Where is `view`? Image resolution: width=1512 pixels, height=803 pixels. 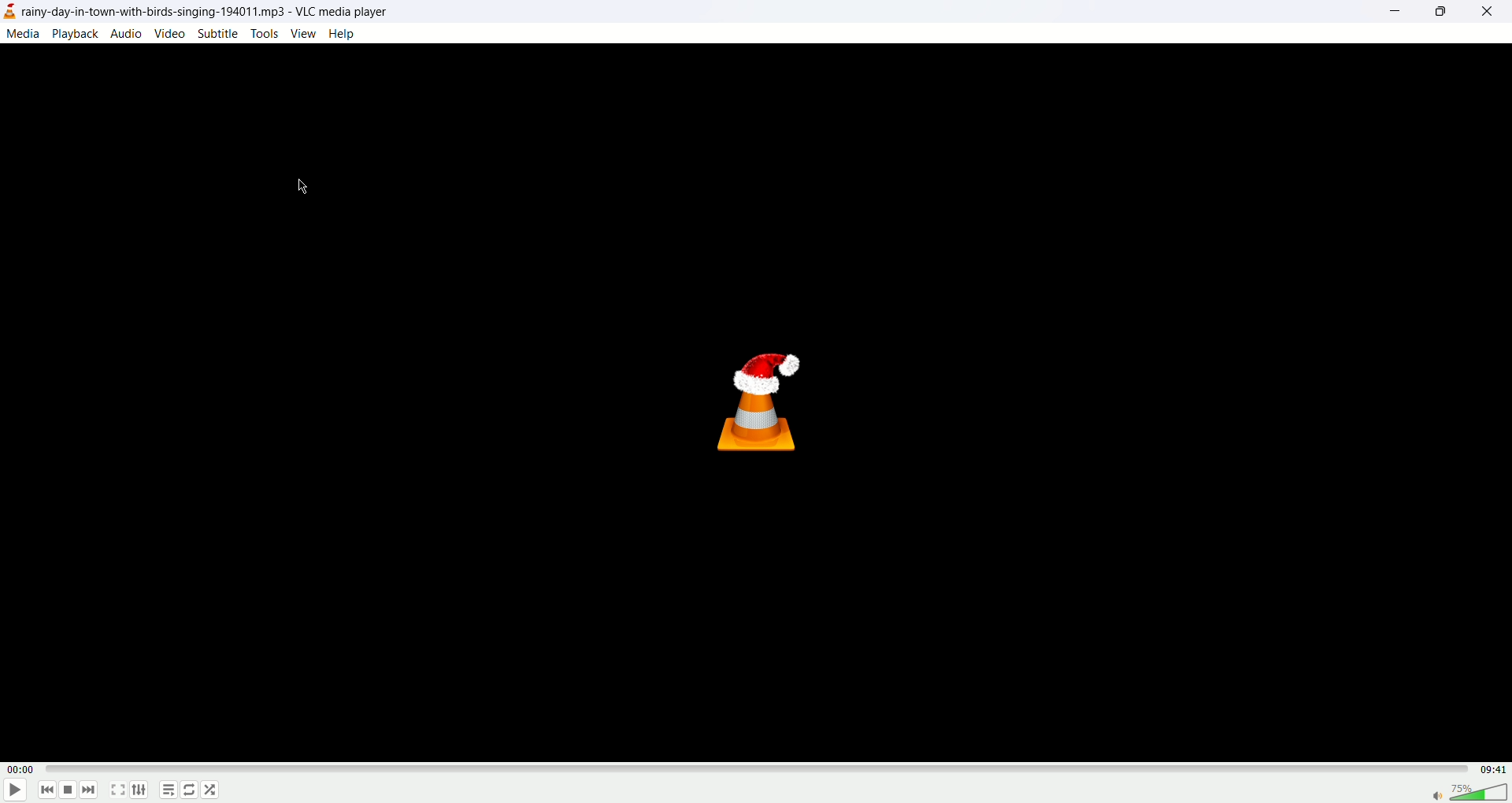 view is located at coordinates (302, 34).